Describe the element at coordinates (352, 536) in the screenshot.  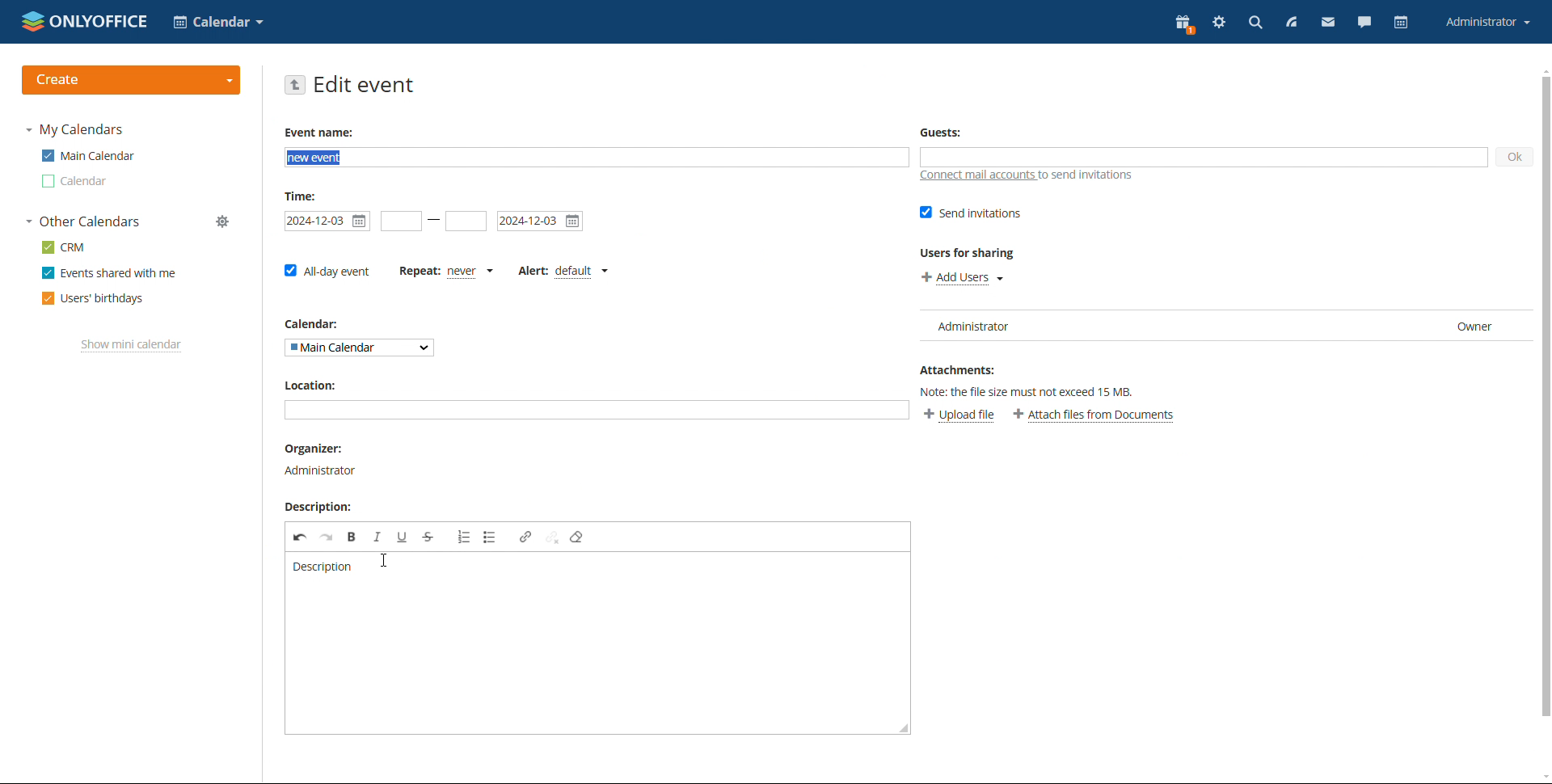
I see `bold` at that location.